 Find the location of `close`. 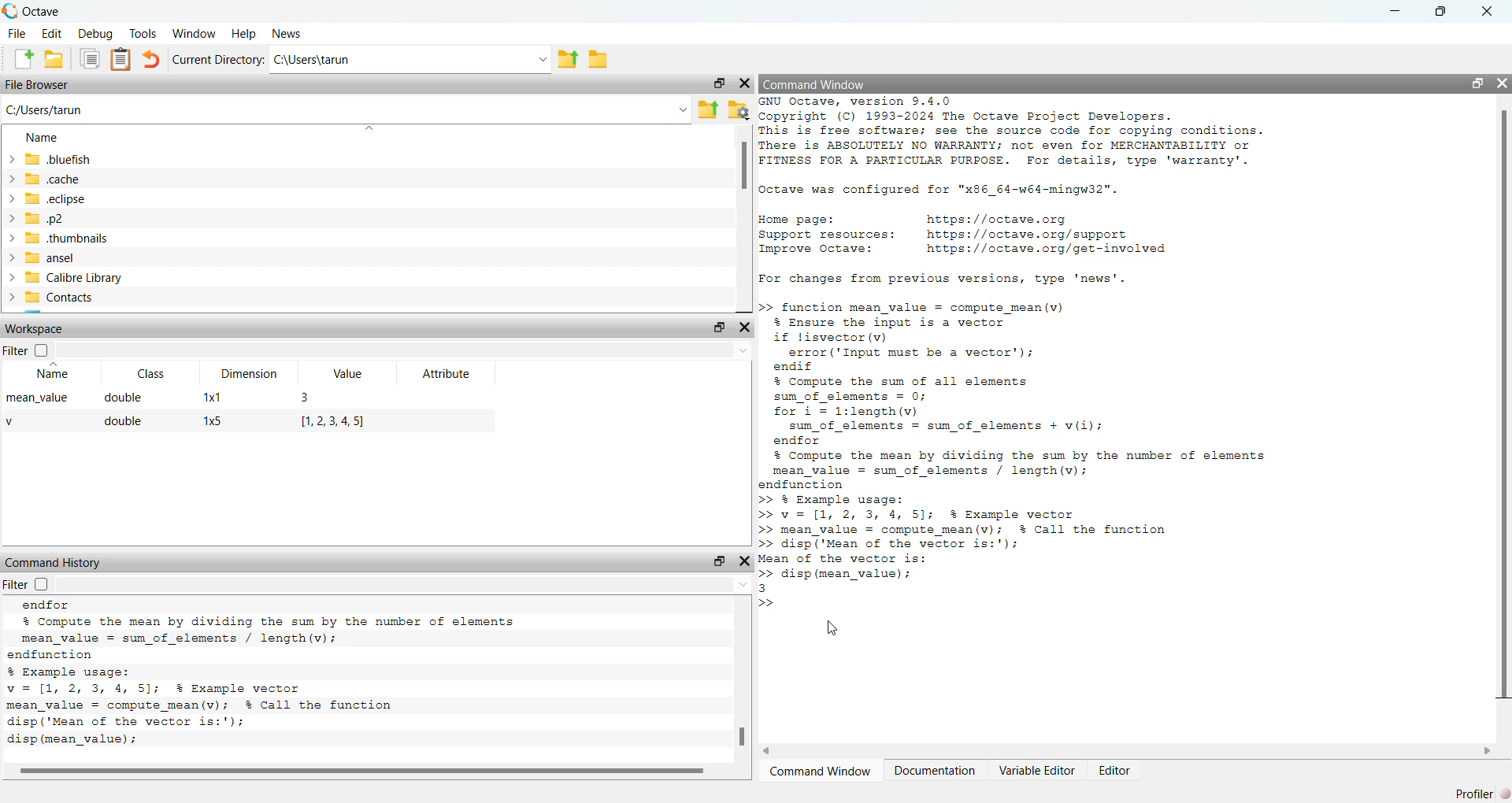

close is located at coordinates (746, 561).